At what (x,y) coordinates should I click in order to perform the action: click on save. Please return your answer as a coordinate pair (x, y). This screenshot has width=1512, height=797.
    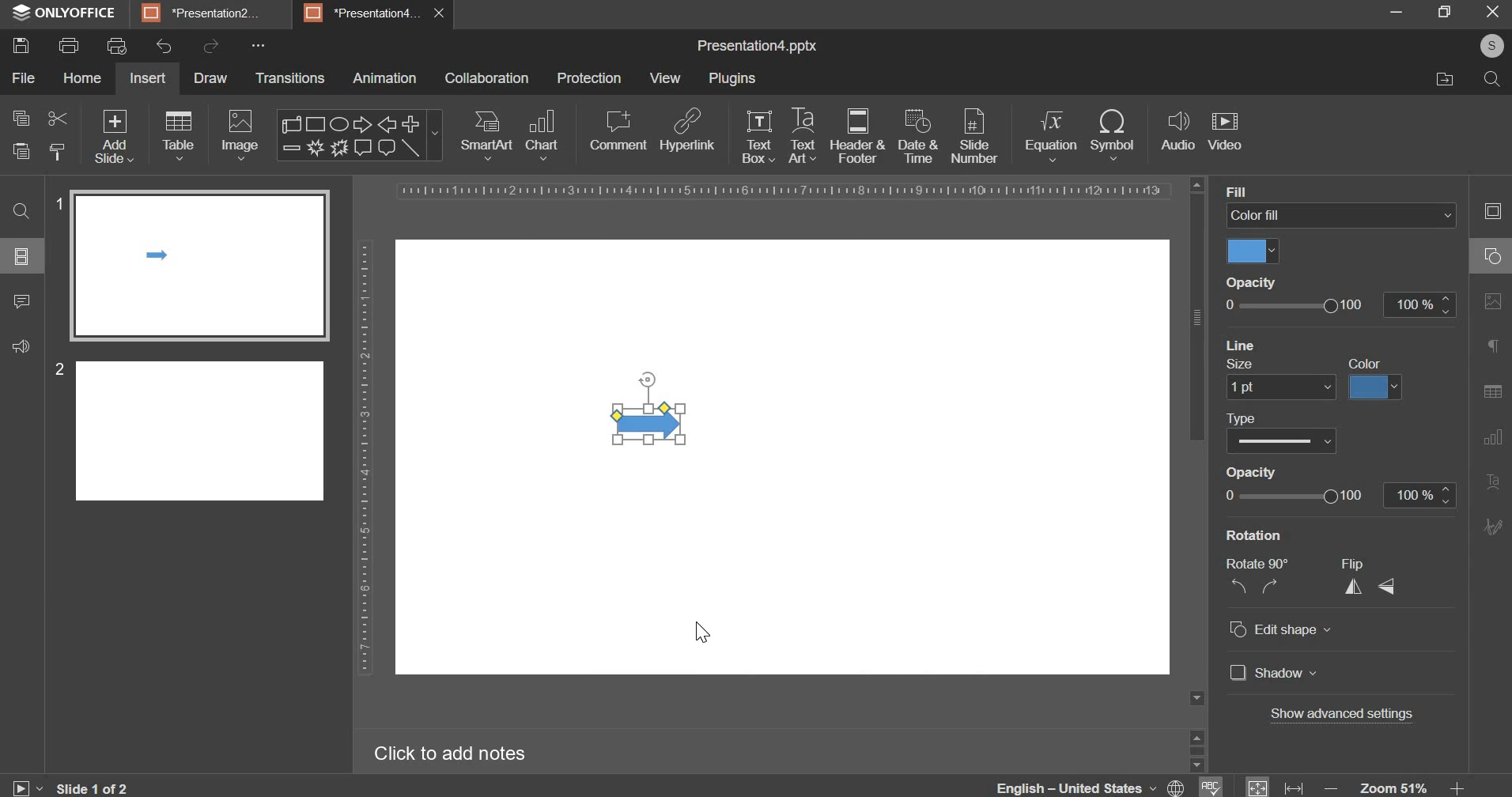
    Looking at the image, I should click on (24, 47).